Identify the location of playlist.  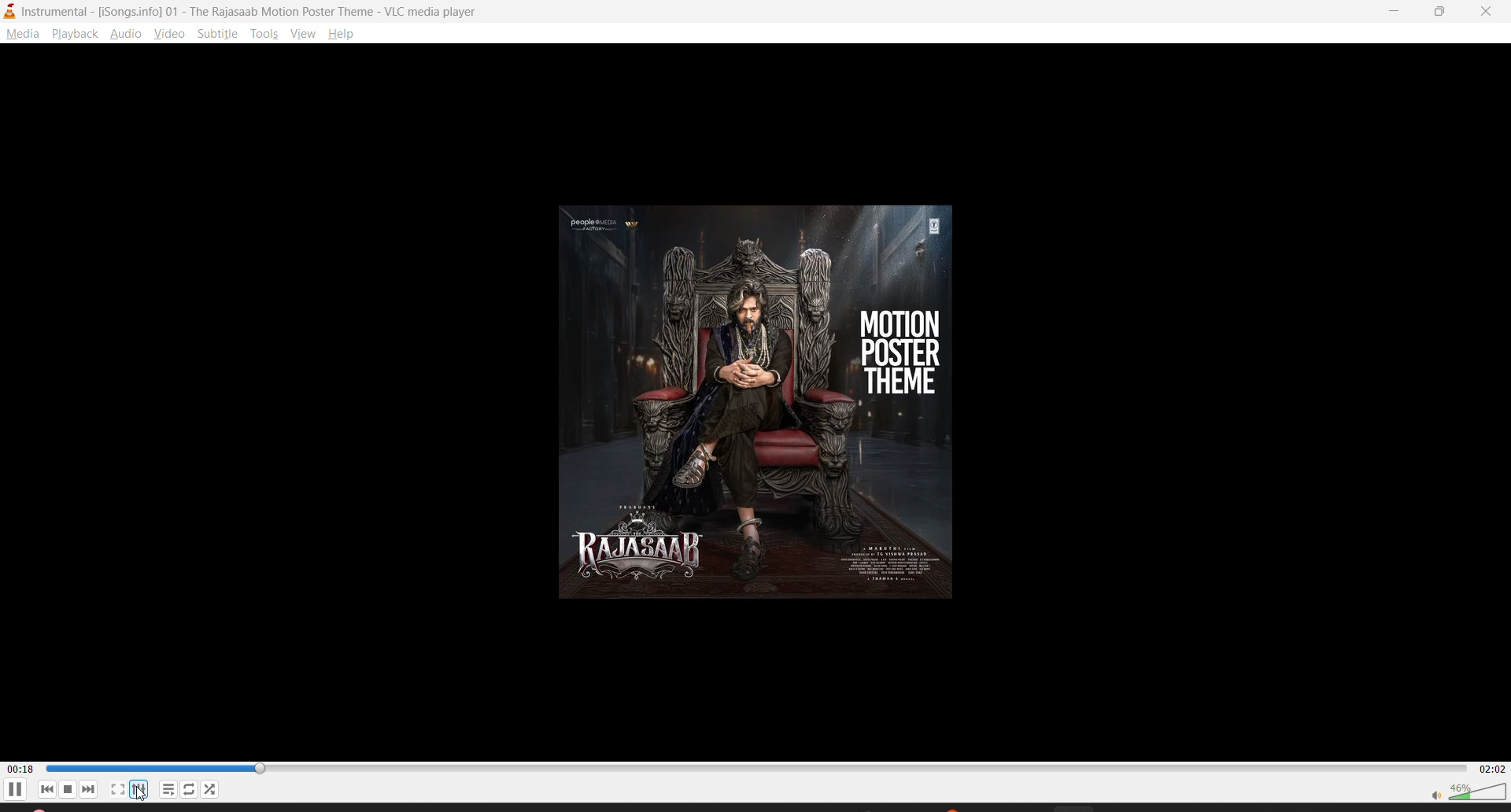
(168, 788).